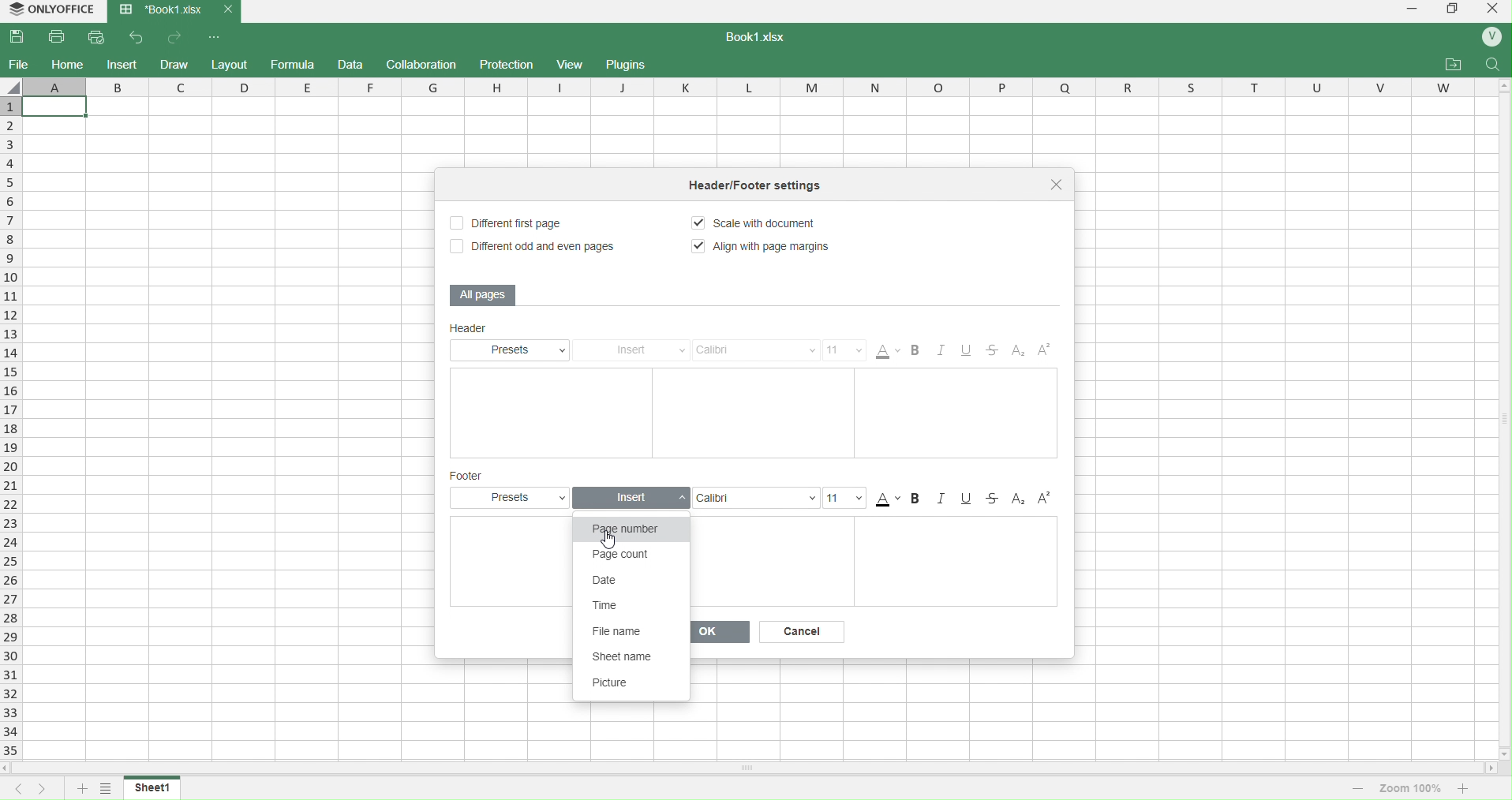 Image resolution: width=1512 pixels, height=800 pixels. Describe the element at coordinates (757, 350) in the screenshot. I see `Calibri` at that location.